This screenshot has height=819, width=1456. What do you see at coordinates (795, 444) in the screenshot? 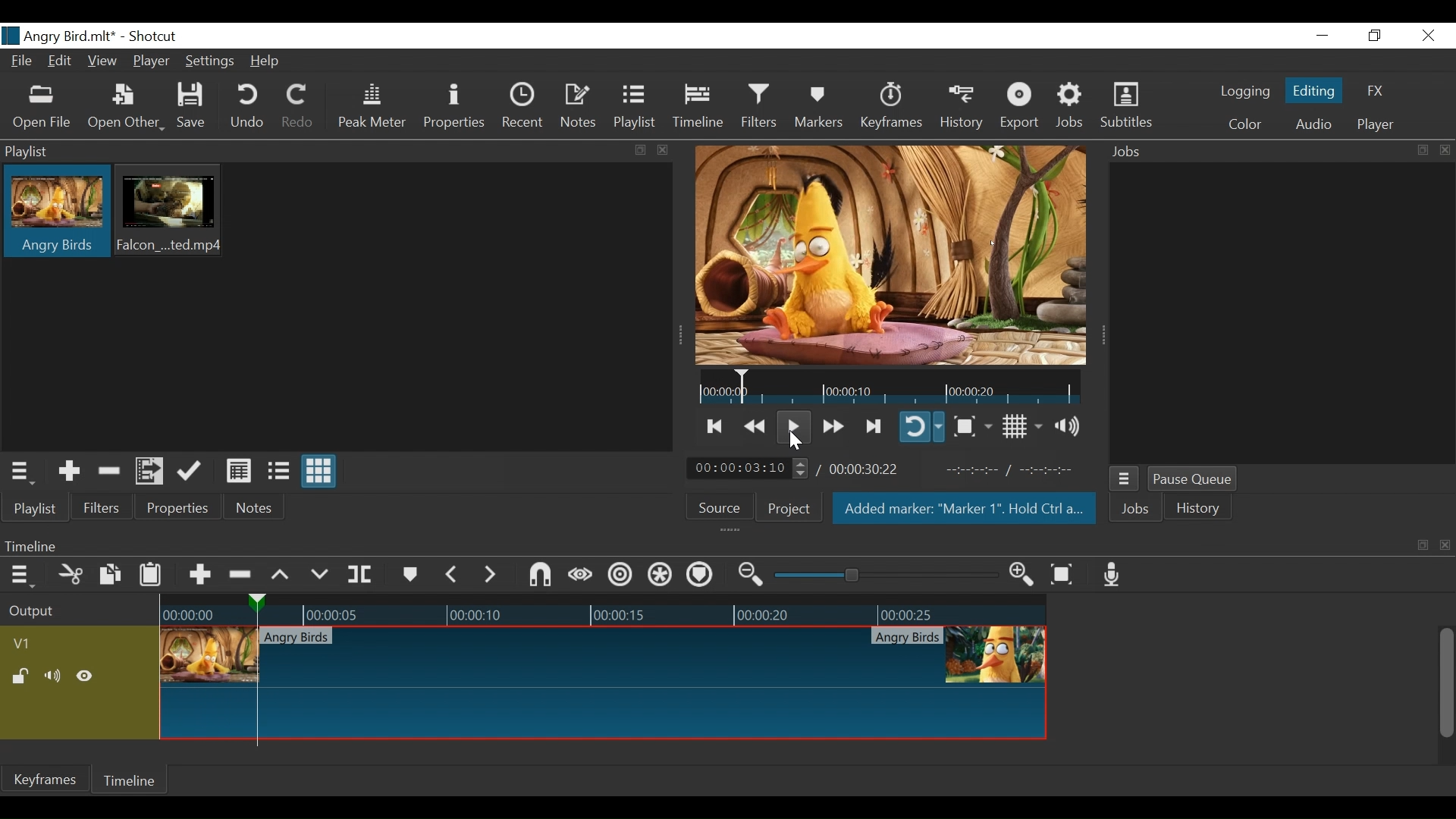
I see `Cursor` at bounding box center [795, 444].